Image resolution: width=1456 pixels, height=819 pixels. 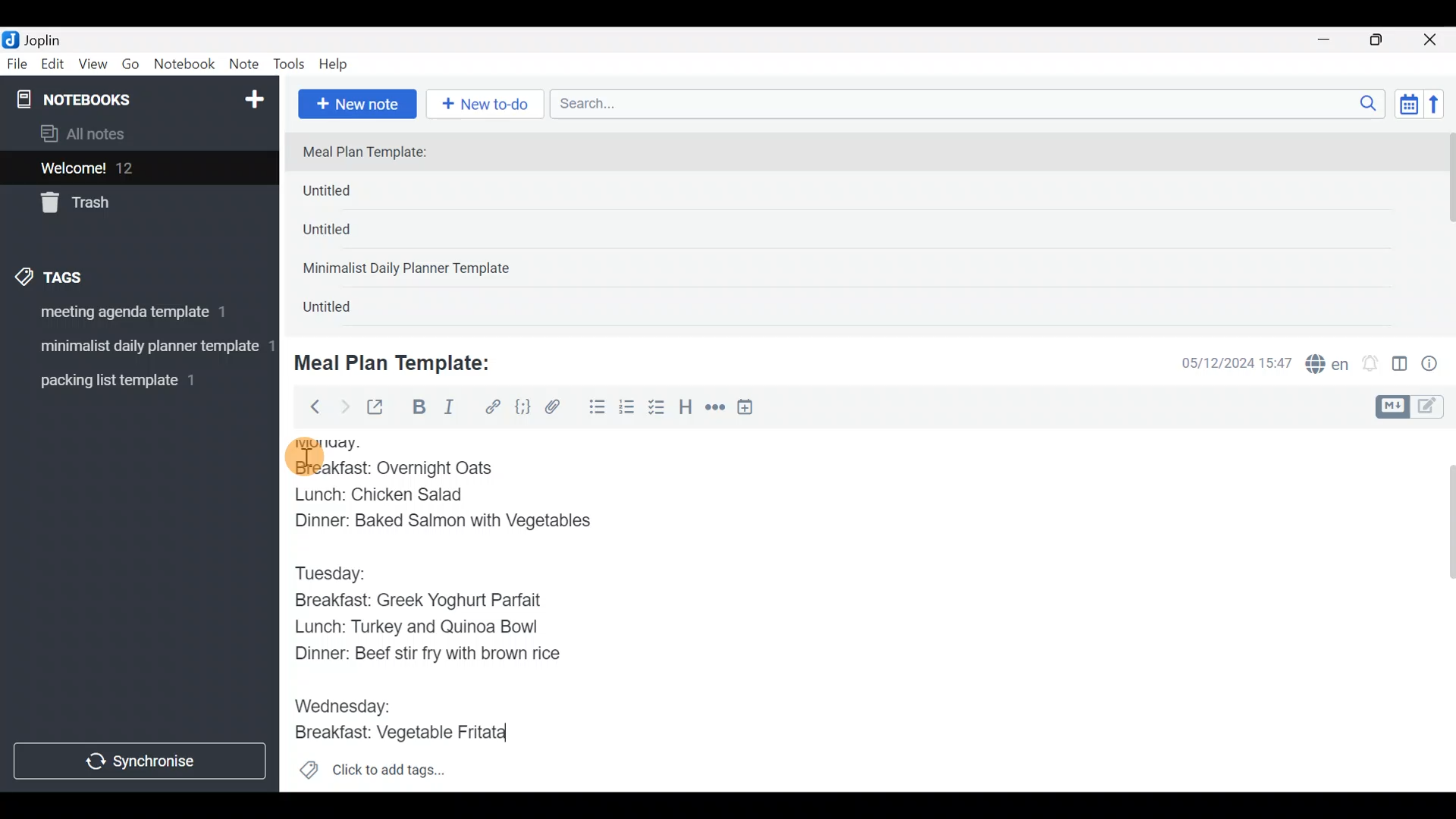 What do you see at coordinates (1371, 365) in the screenshot?
I see `Set alarm` at bounding box center [1371, 365].